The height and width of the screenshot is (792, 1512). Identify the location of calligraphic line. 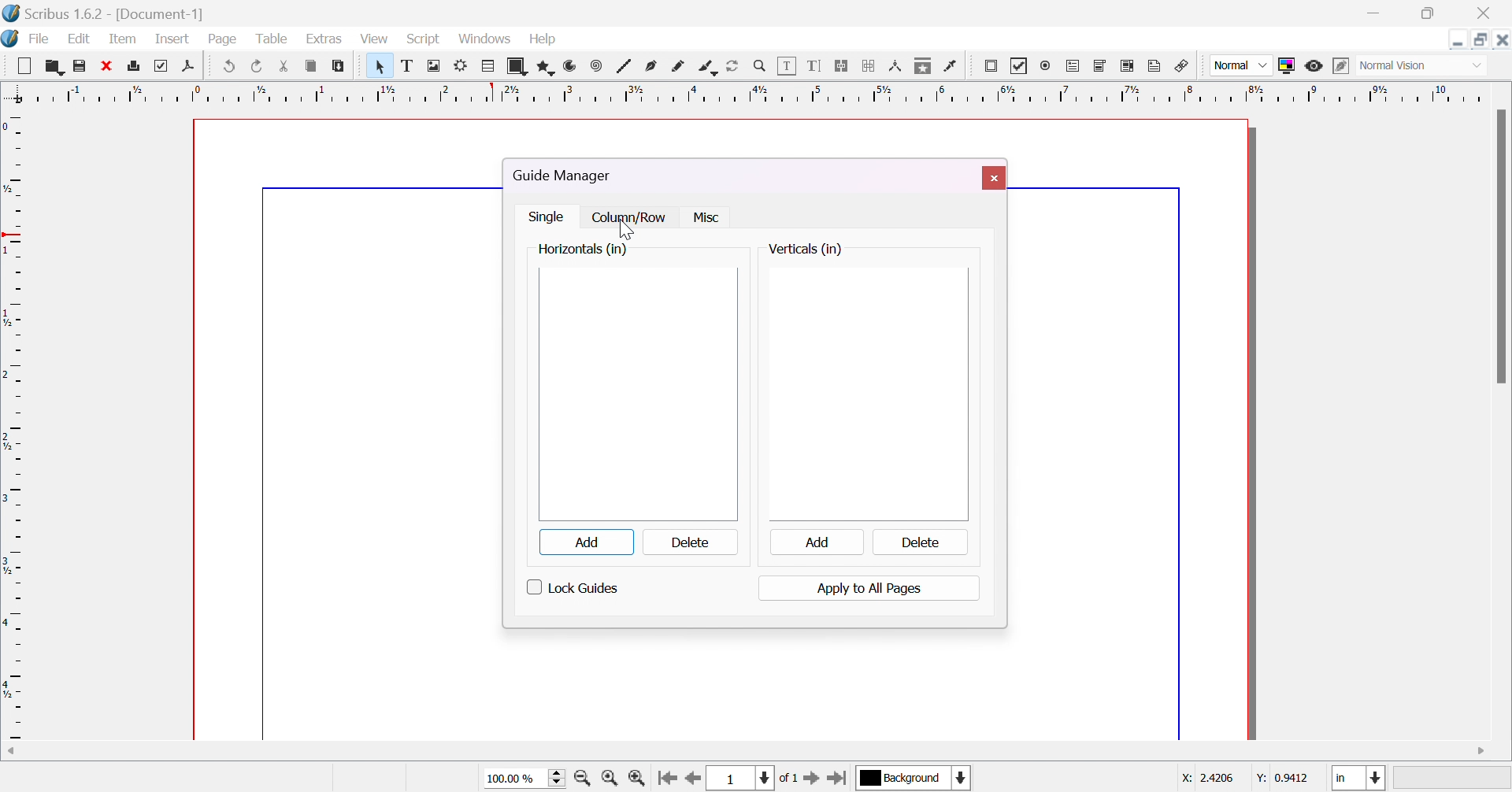
(708, 67).